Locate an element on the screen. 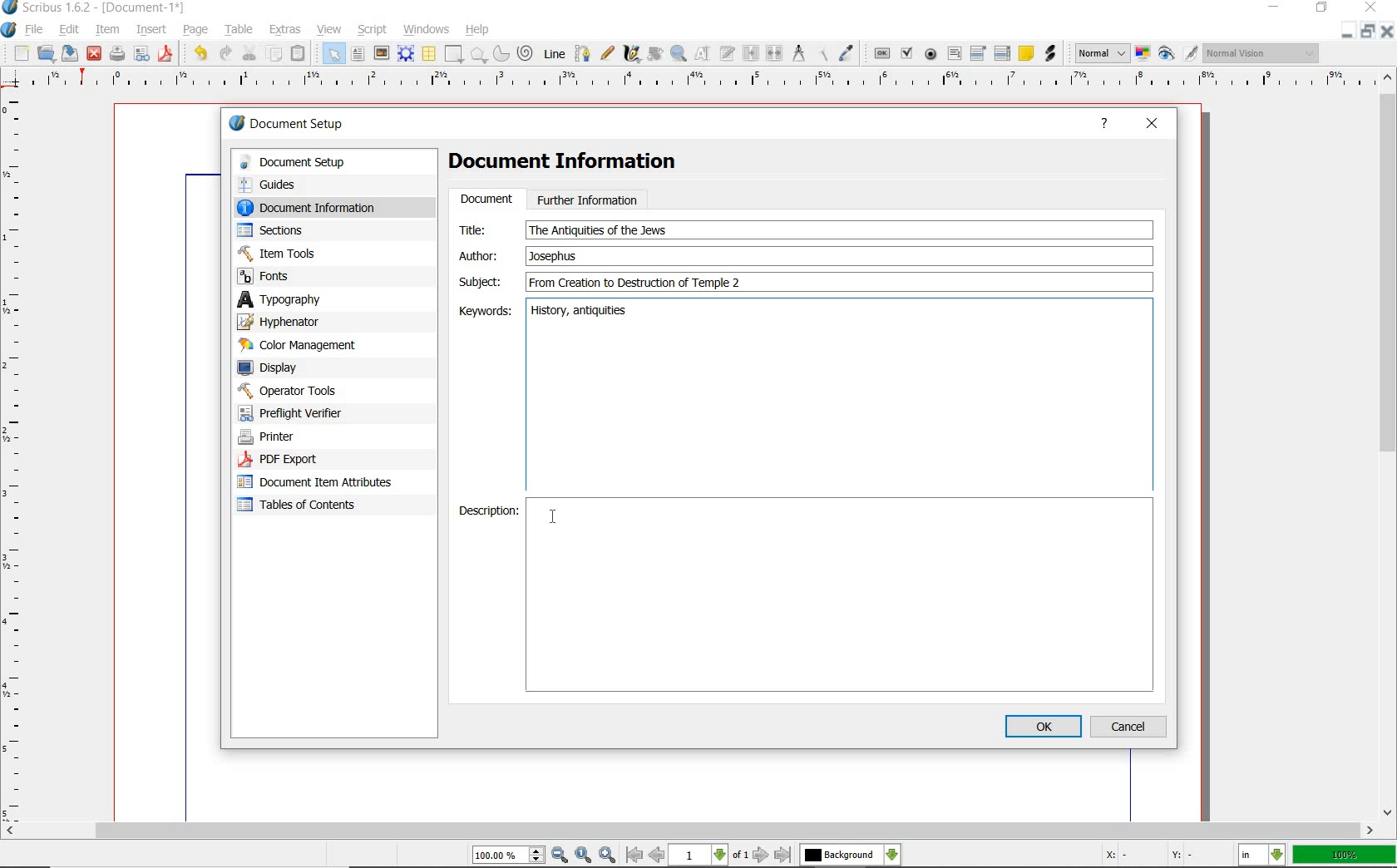 The height and width of the screenshot is (868, 1397). display is located at coordinates (297, 367).